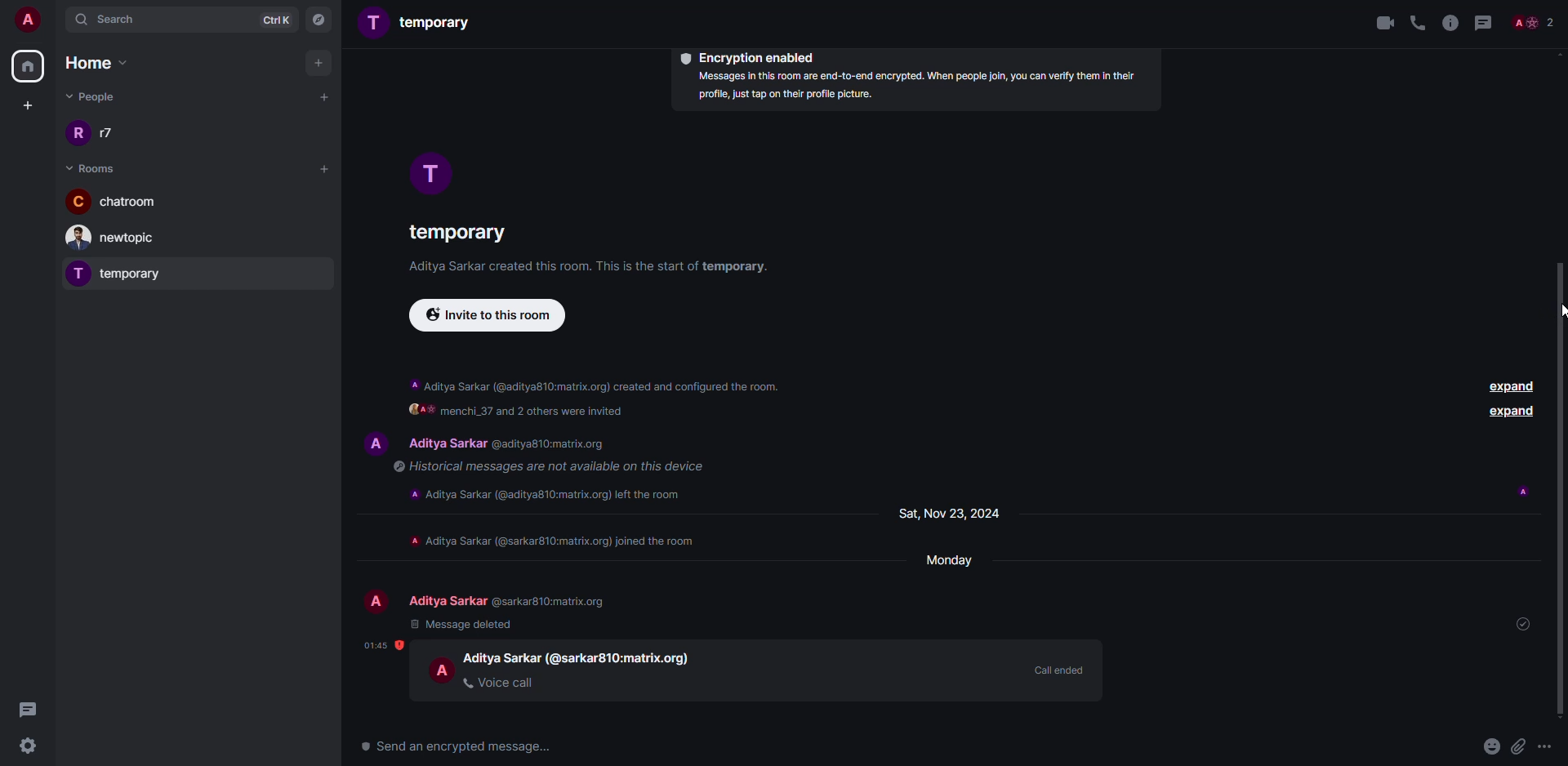 The width and height of the screenshot is (1568, 766). What do you see at coordinates (551, 541) in the screenshot?
I see `A Aditya Sarkar (@sarkar810:matrix.org) joined the room` at bounding box center [551, 541].